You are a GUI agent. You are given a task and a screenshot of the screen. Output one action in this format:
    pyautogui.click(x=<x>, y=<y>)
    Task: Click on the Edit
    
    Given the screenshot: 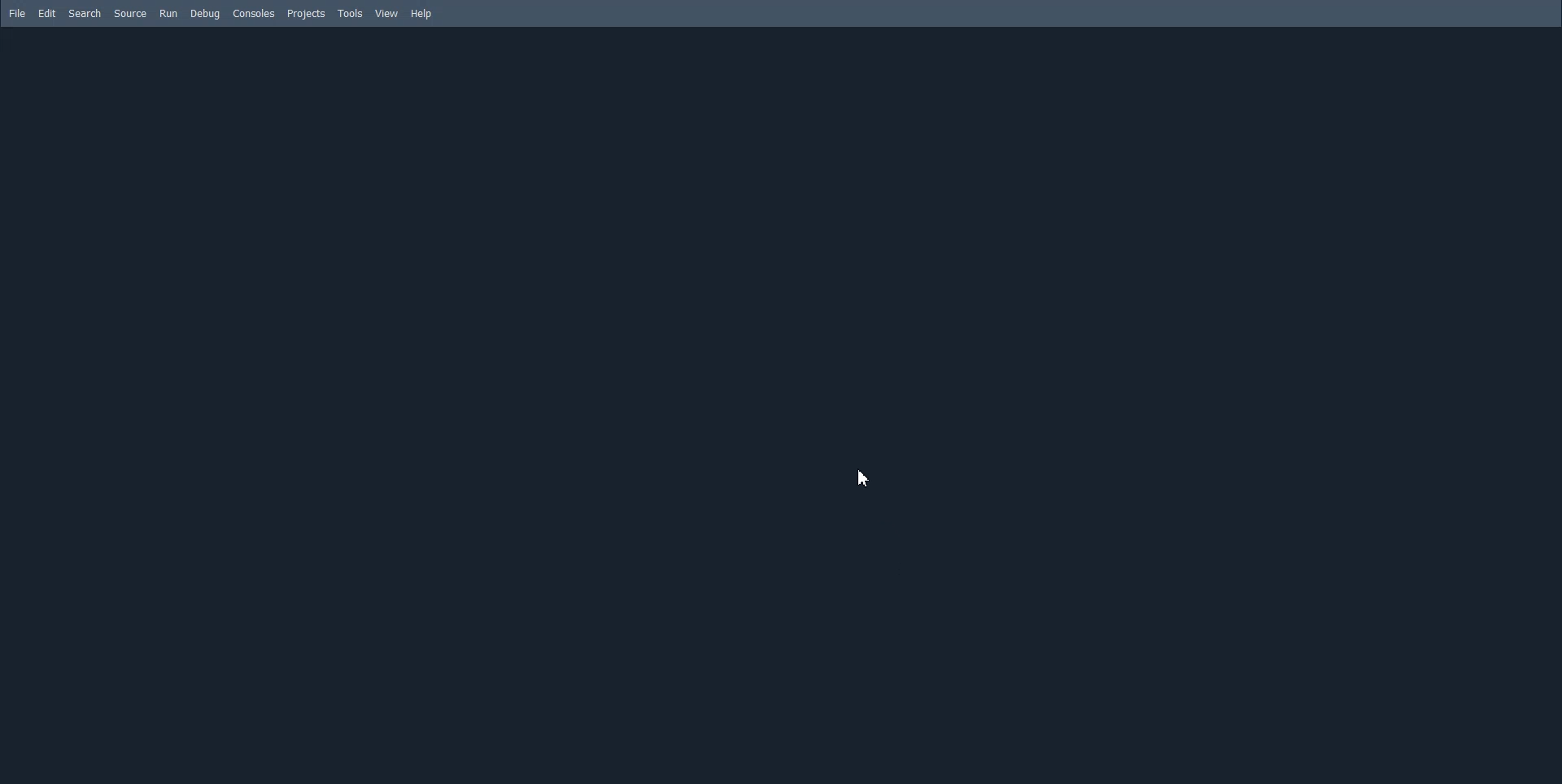 What is the action you would take?
    pyautogui.click(x=46, y=13)
    